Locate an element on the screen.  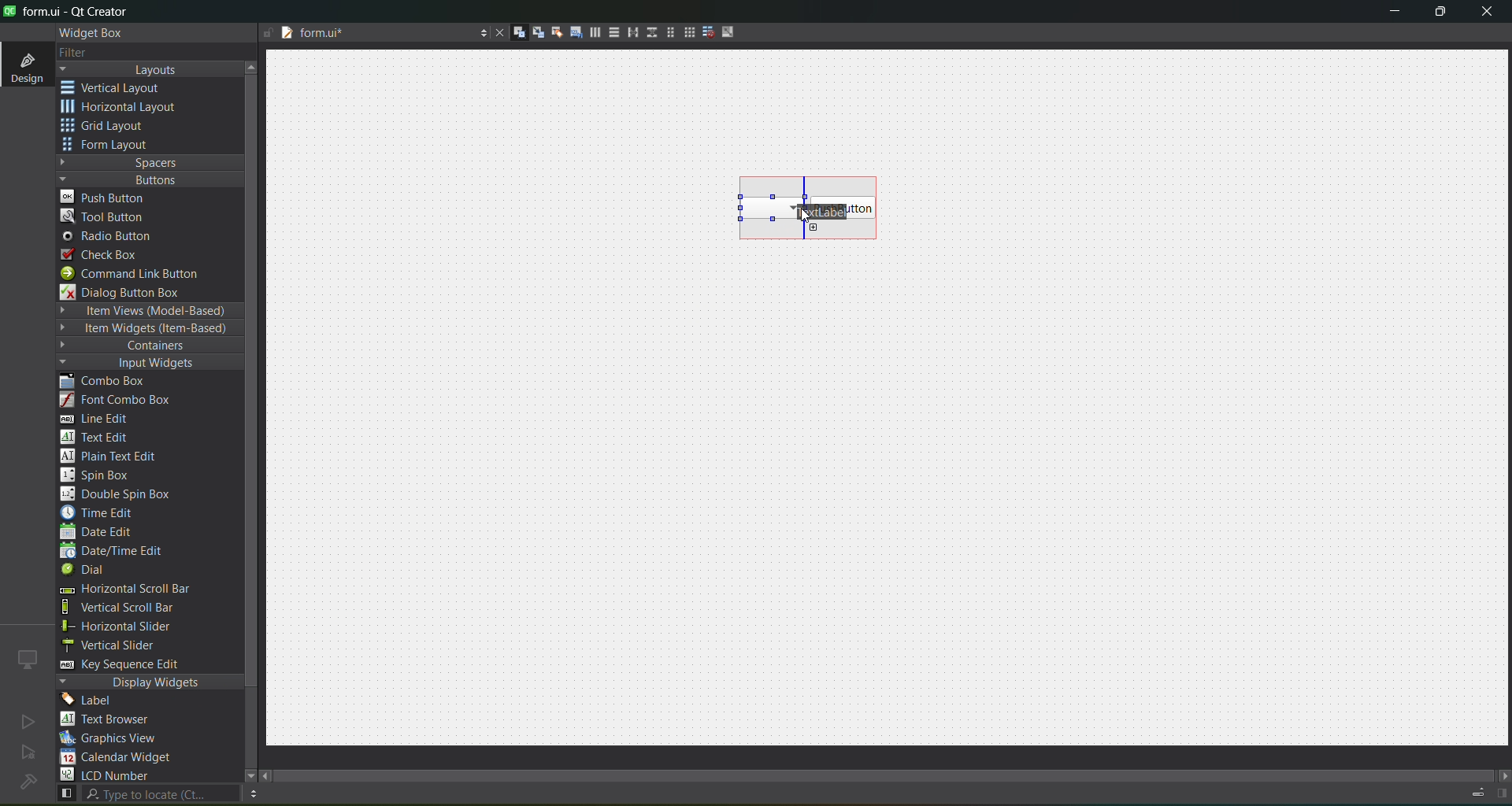
layout in a grid is located at coordinates (684, 32).